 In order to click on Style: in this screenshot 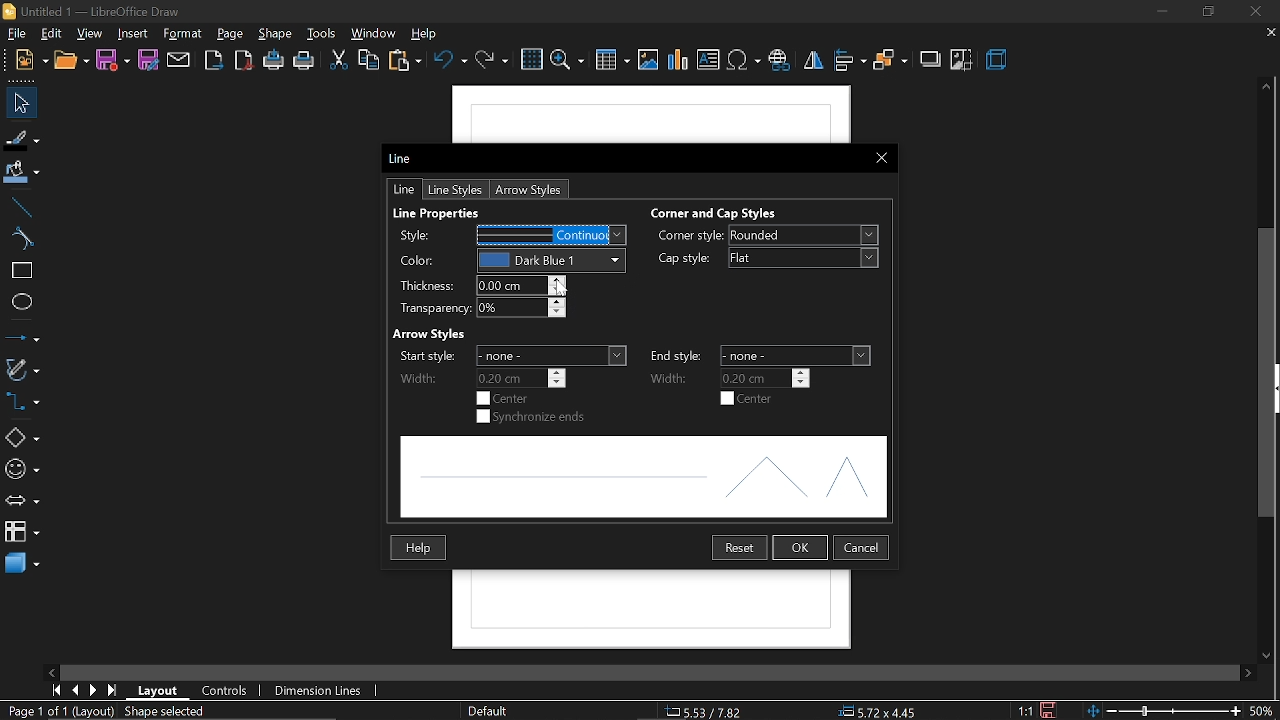, I will do `click(421, 235)`.